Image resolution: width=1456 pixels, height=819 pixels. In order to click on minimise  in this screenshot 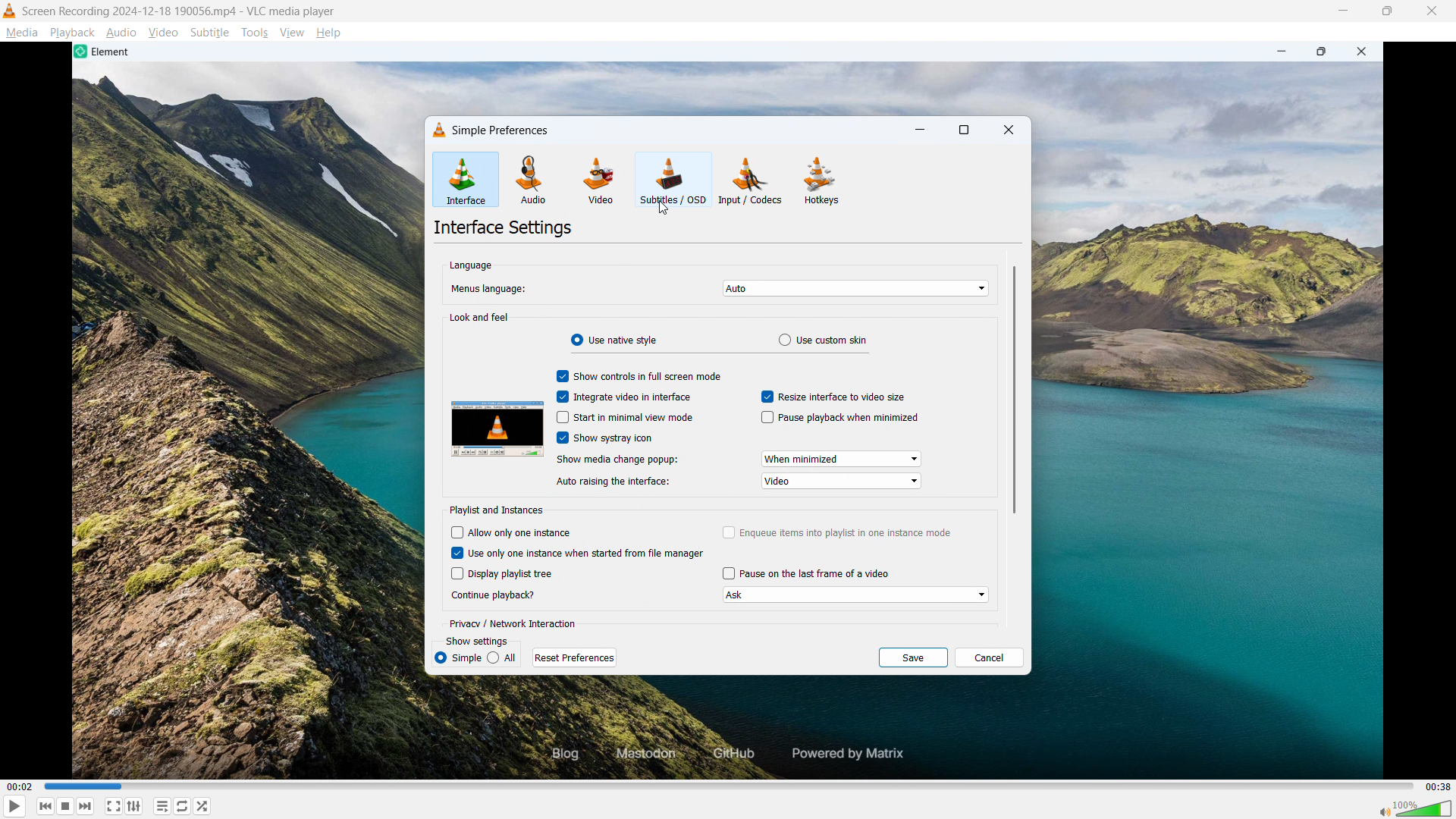, I will do `click(1344, 11)`.